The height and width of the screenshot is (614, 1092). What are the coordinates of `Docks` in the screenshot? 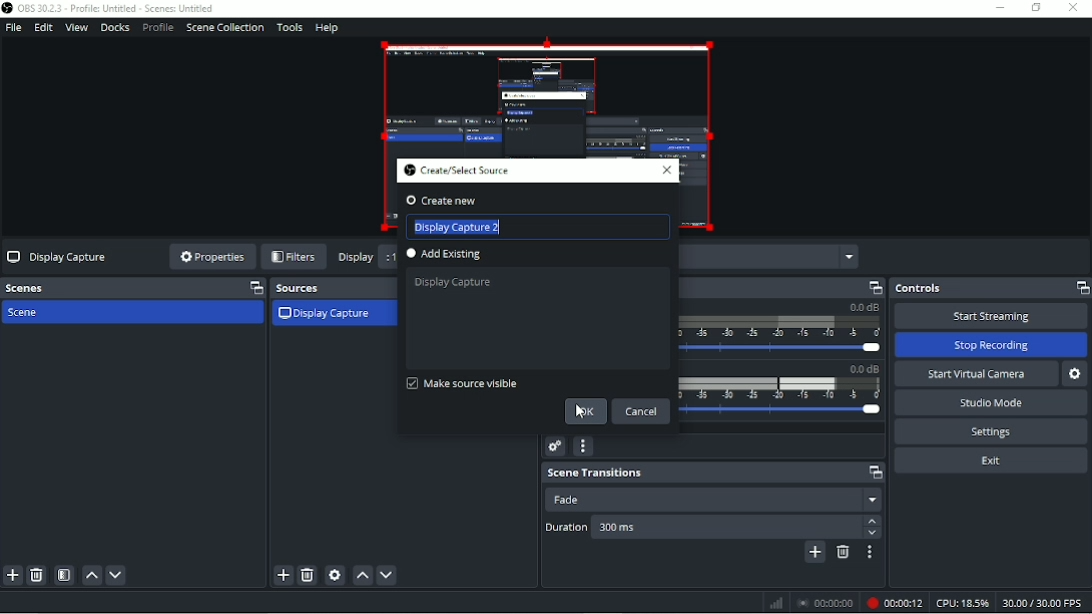 It's located at (114, 28).